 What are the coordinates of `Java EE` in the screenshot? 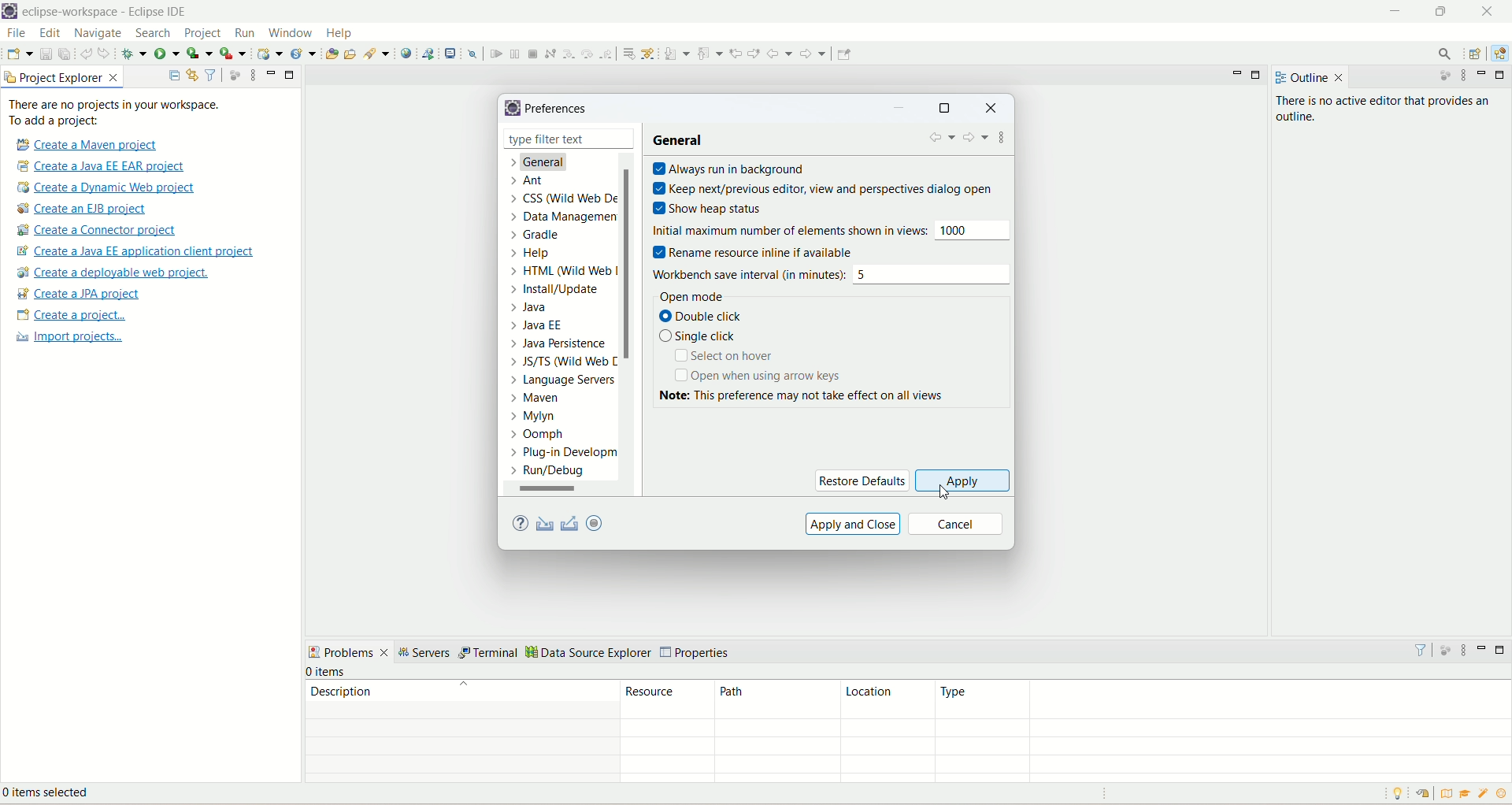 It's located at (1498, 56).